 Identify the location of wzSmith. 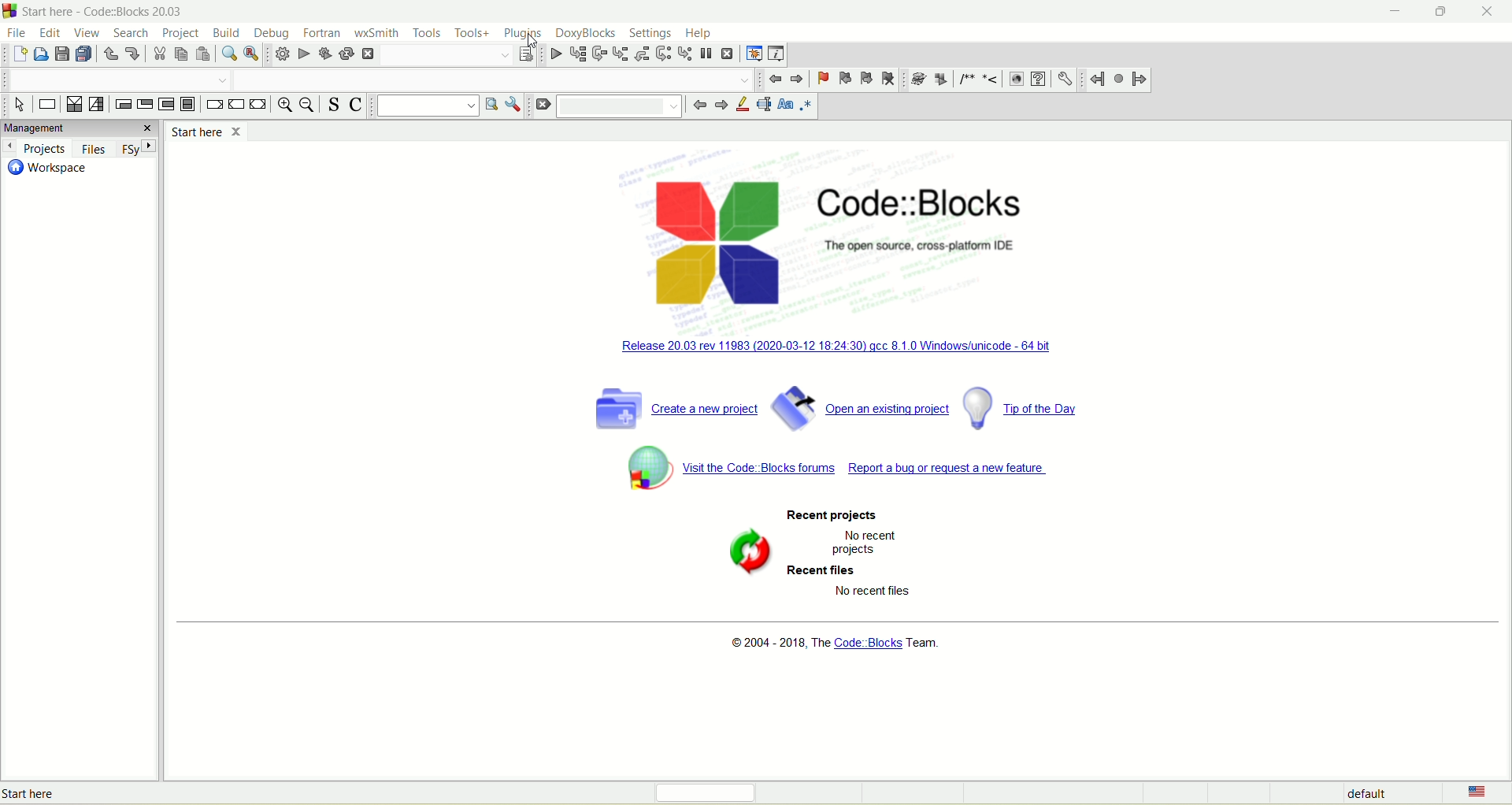
(377, 33).